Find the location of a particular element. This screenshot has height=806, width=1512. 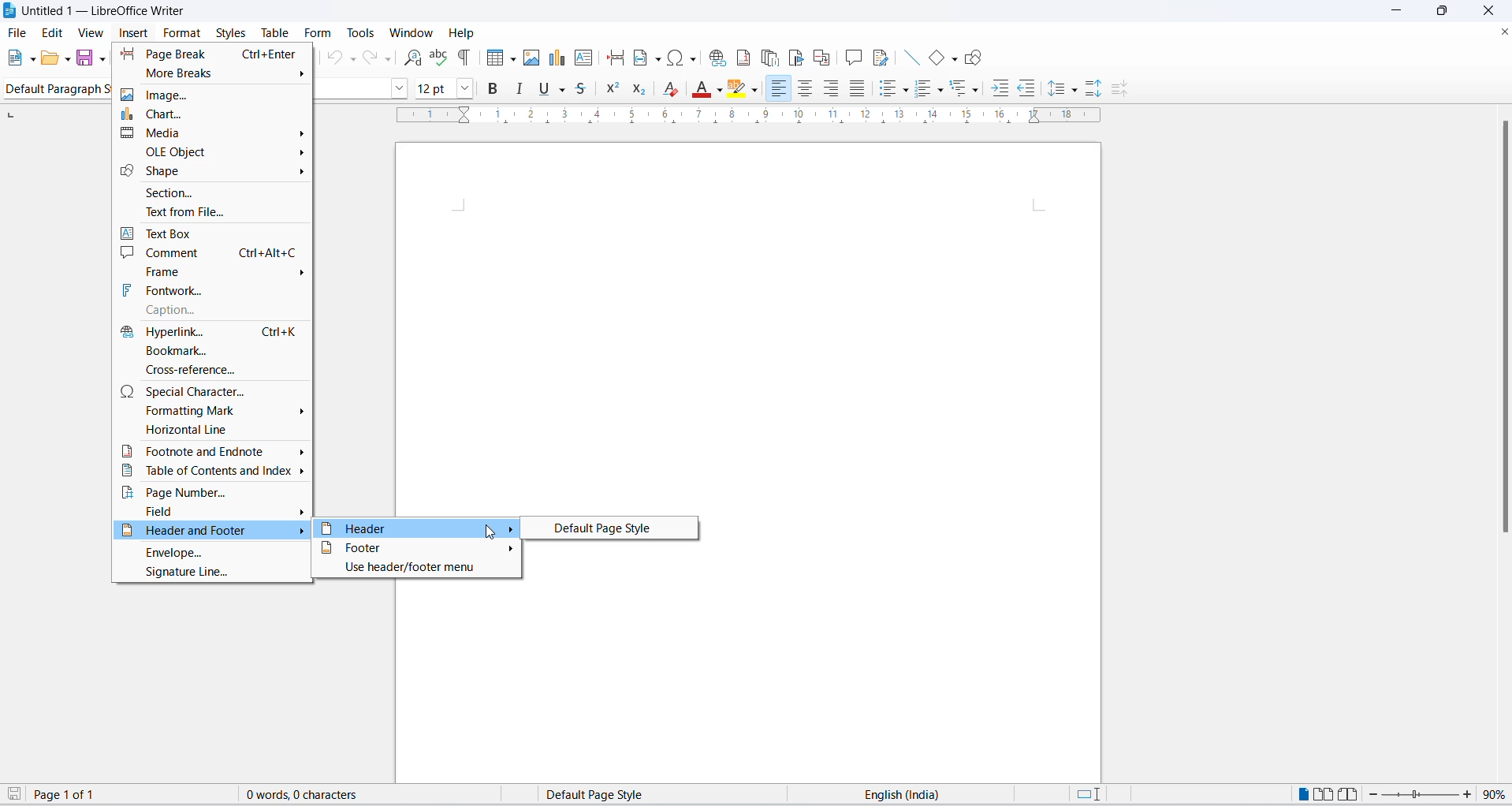

caption is located at coordinates (210, 310).